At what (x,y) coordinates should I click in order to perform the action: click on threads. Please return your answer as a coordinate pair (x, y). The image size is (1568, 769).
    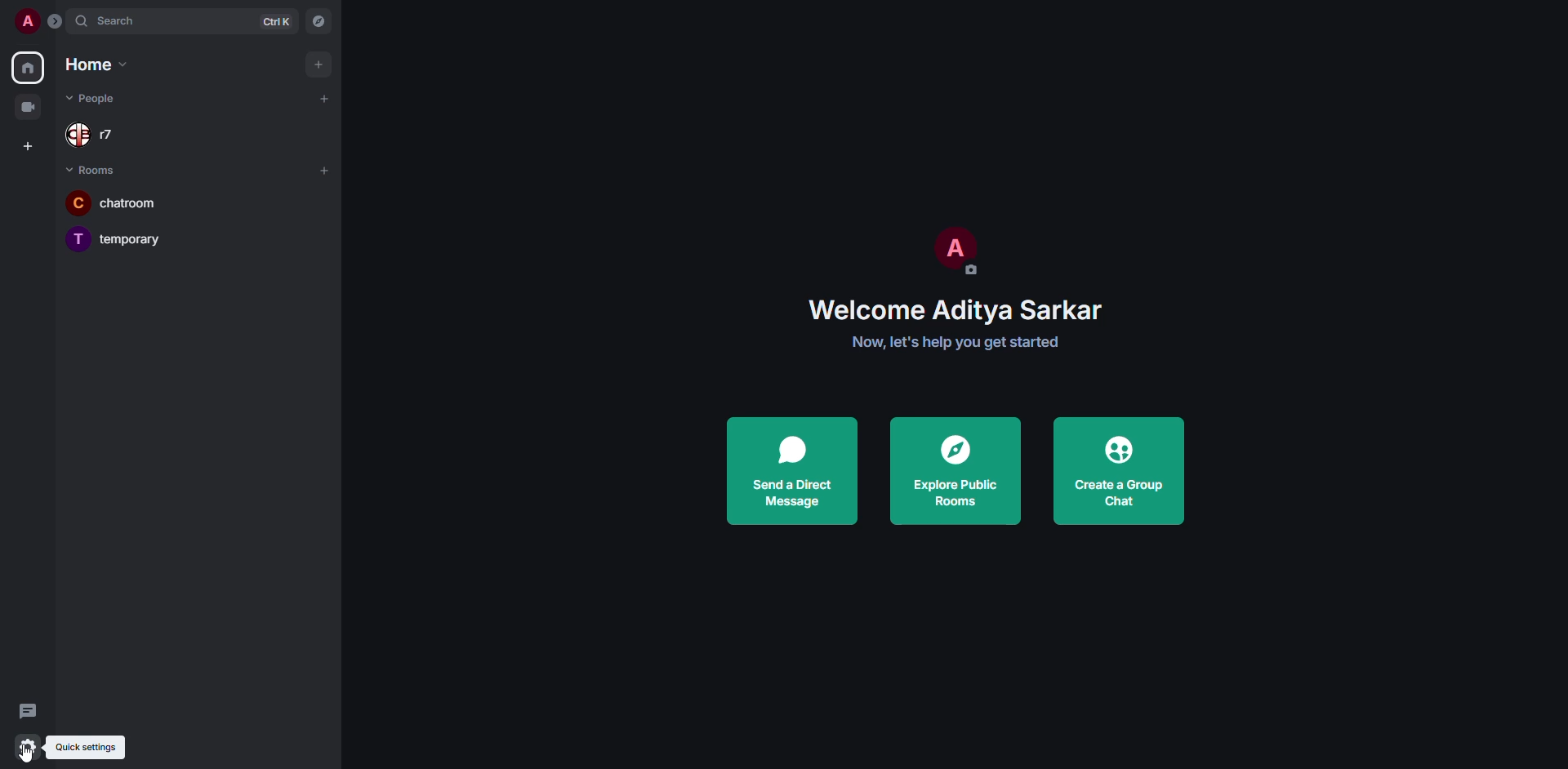
    Looking at the image, I should click on (26, 711).